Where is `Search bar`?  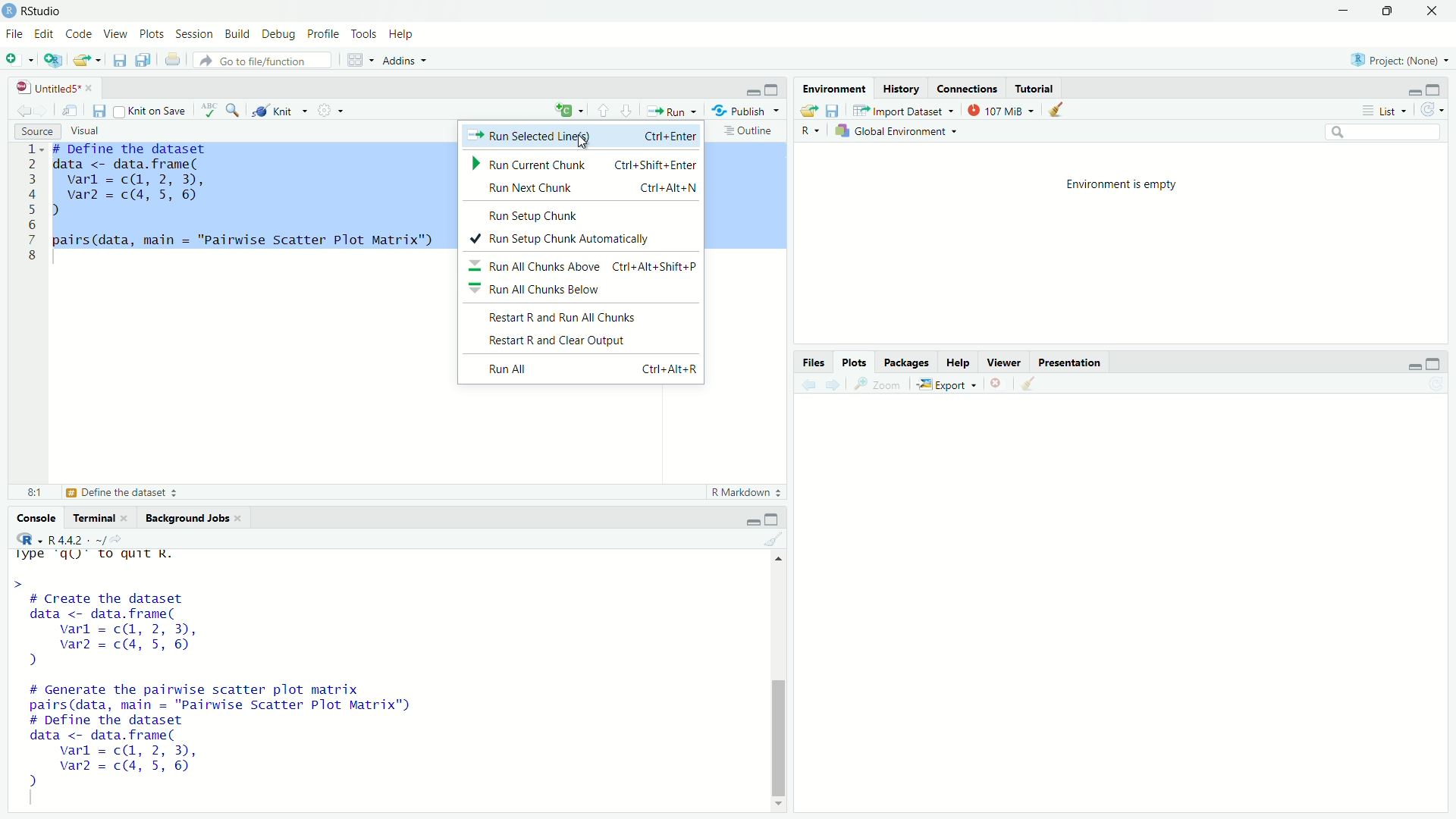 Search bar is located at coordinates (1383, 133).